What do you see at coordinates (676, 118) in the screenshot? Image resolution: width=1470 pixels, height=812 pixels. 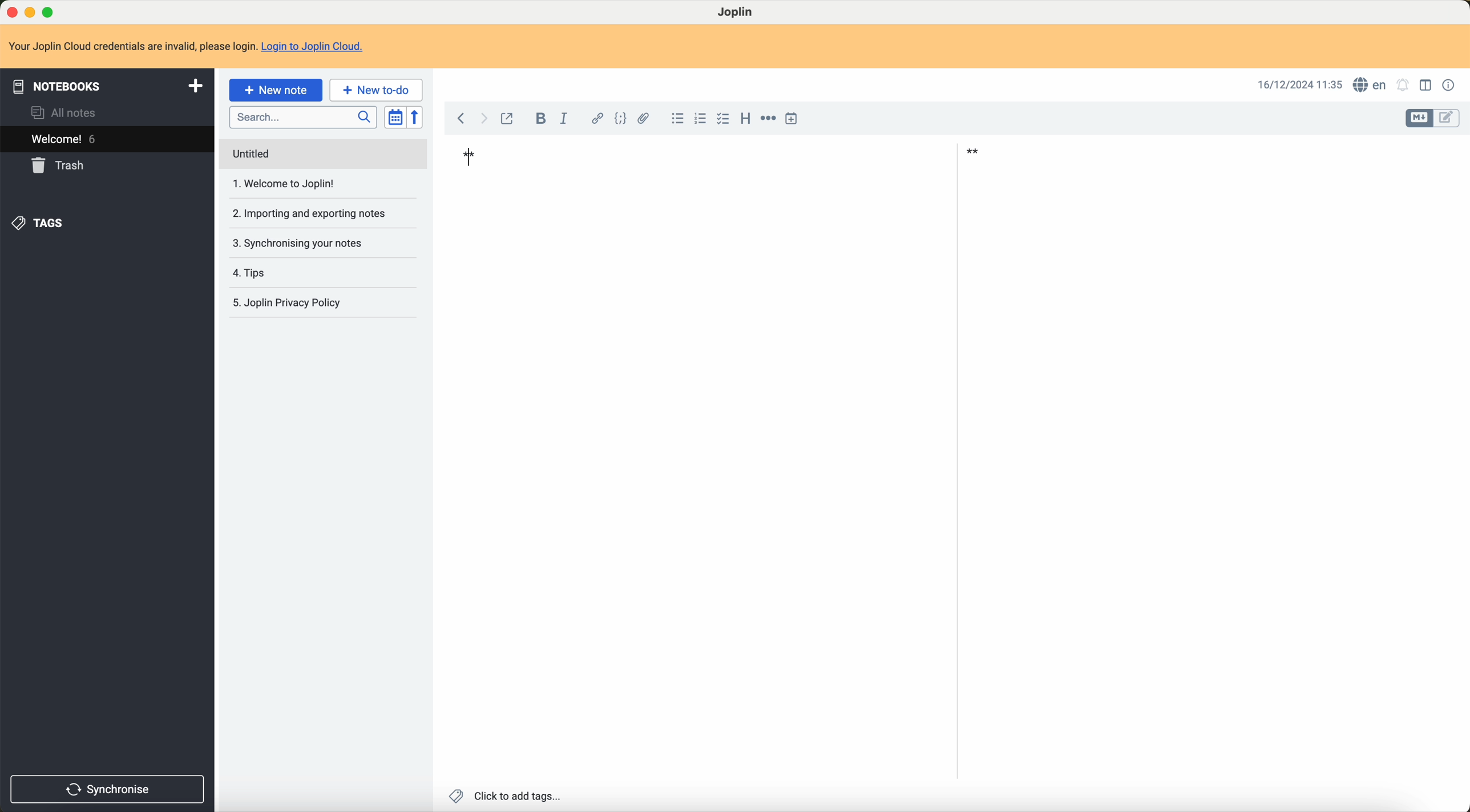 I see `bulleted list` at bounding box center [676, 118].